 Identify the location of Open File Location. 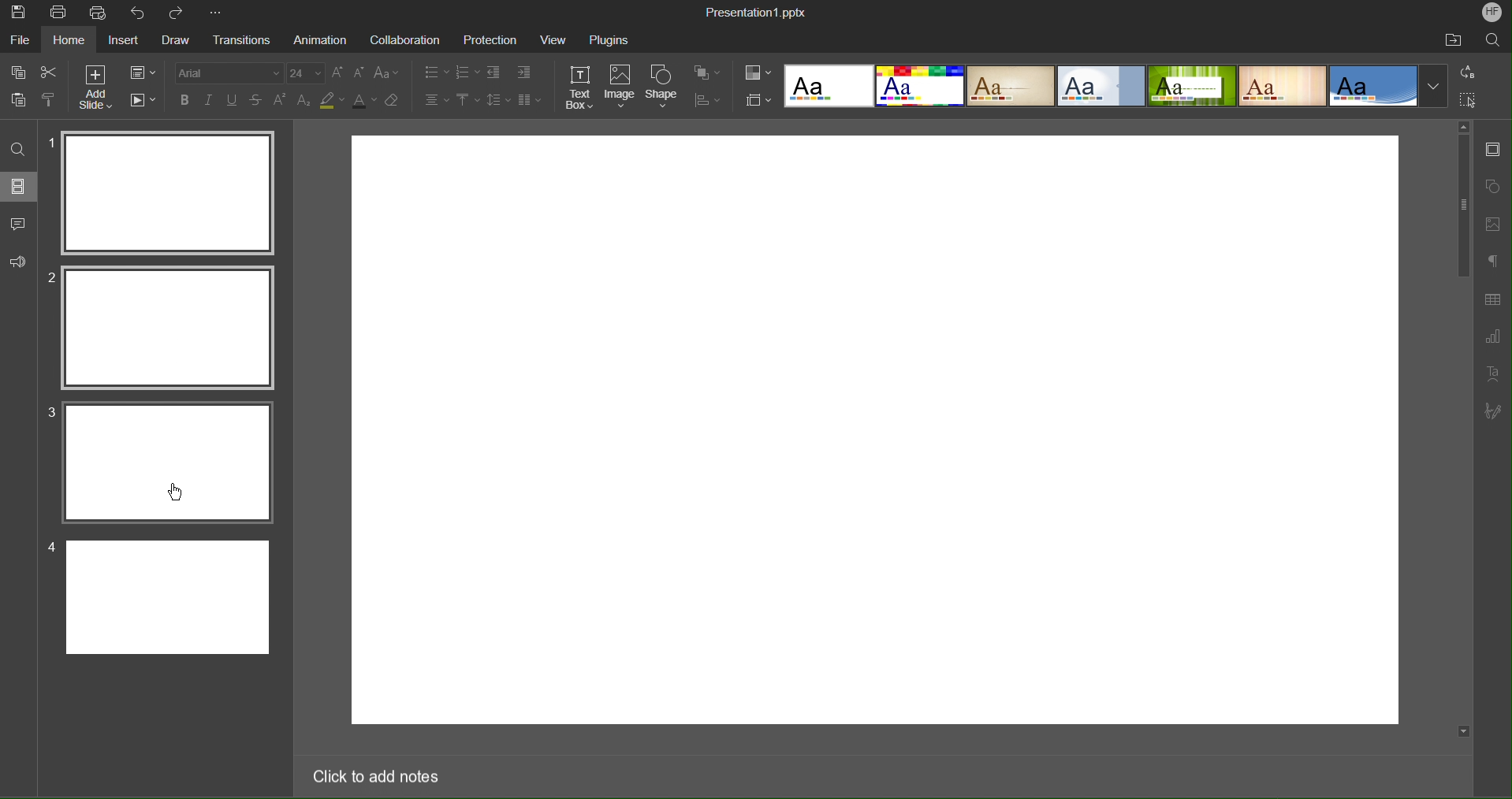
(1455, 39).